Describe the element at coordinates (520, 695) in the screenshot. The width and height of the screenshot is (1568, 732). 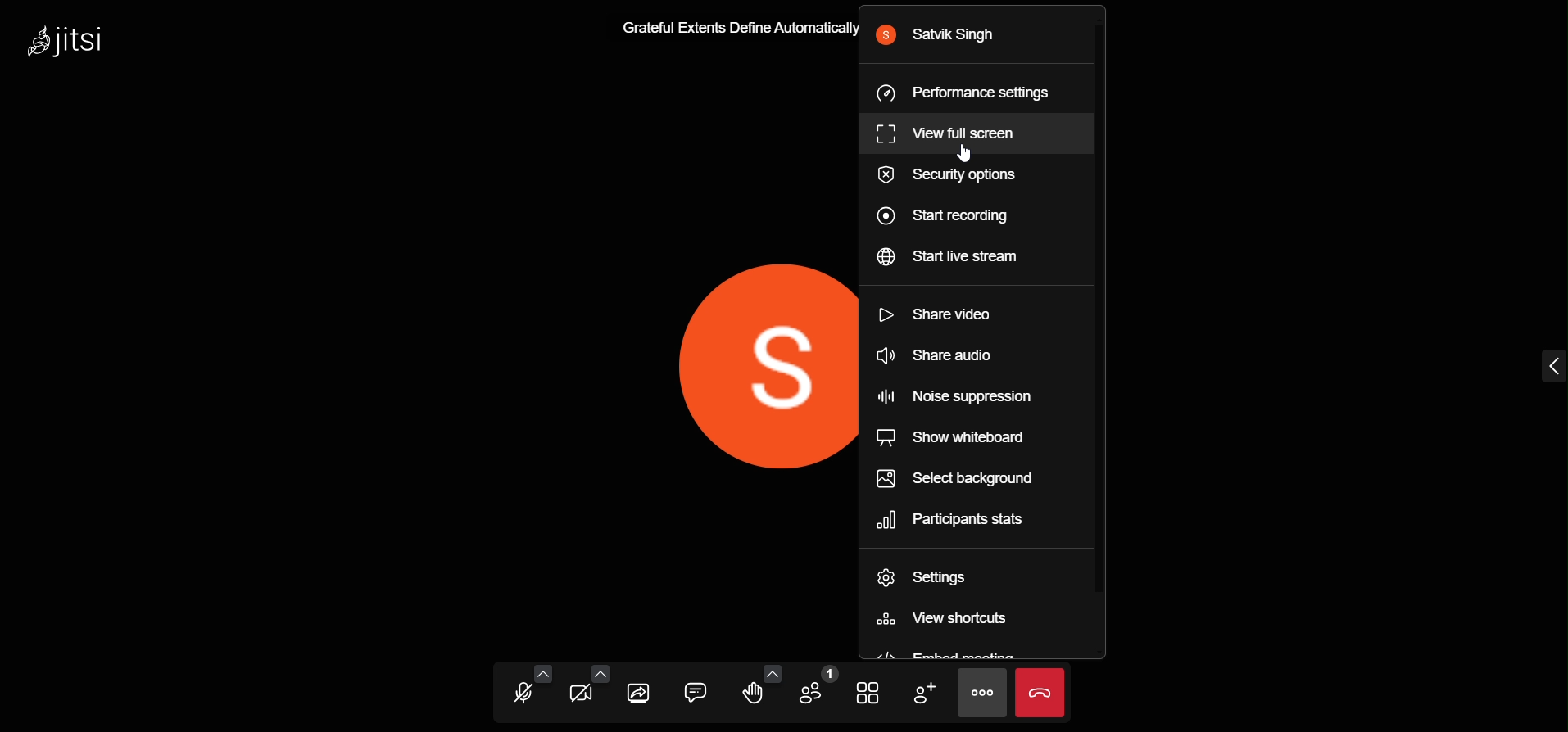
I see `microphone` at that location.